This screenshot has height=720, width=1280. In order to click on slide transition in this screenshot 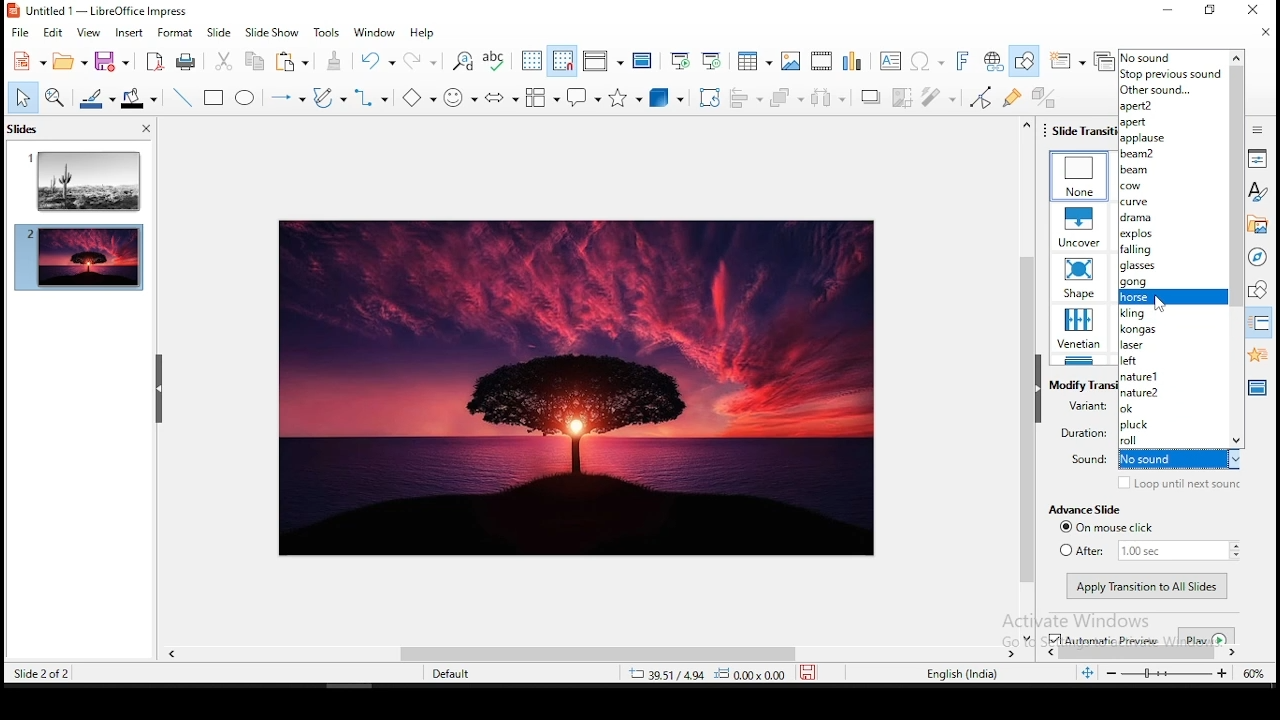, I will do `click(1259, 326)`.